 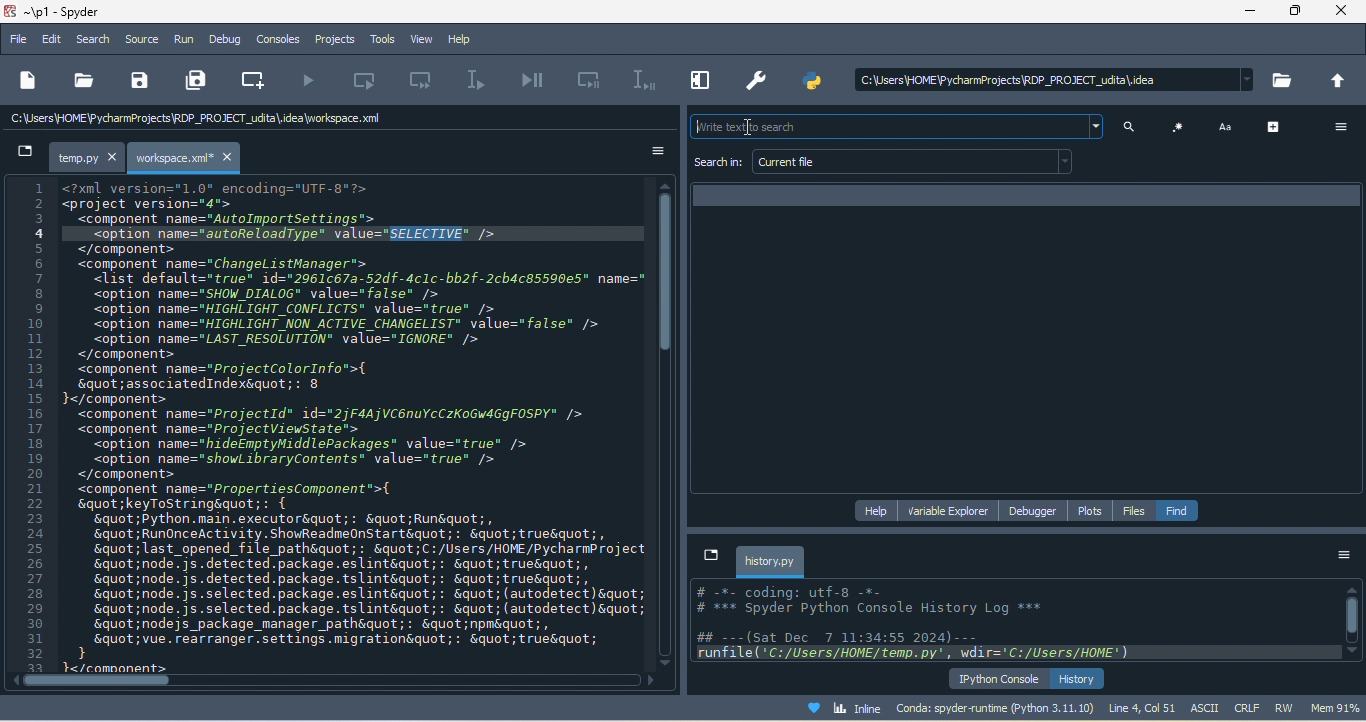 What do you see at coordinates (258, 78) in the screenshot?
I see `create new cell` at bounding box center [258, 78].